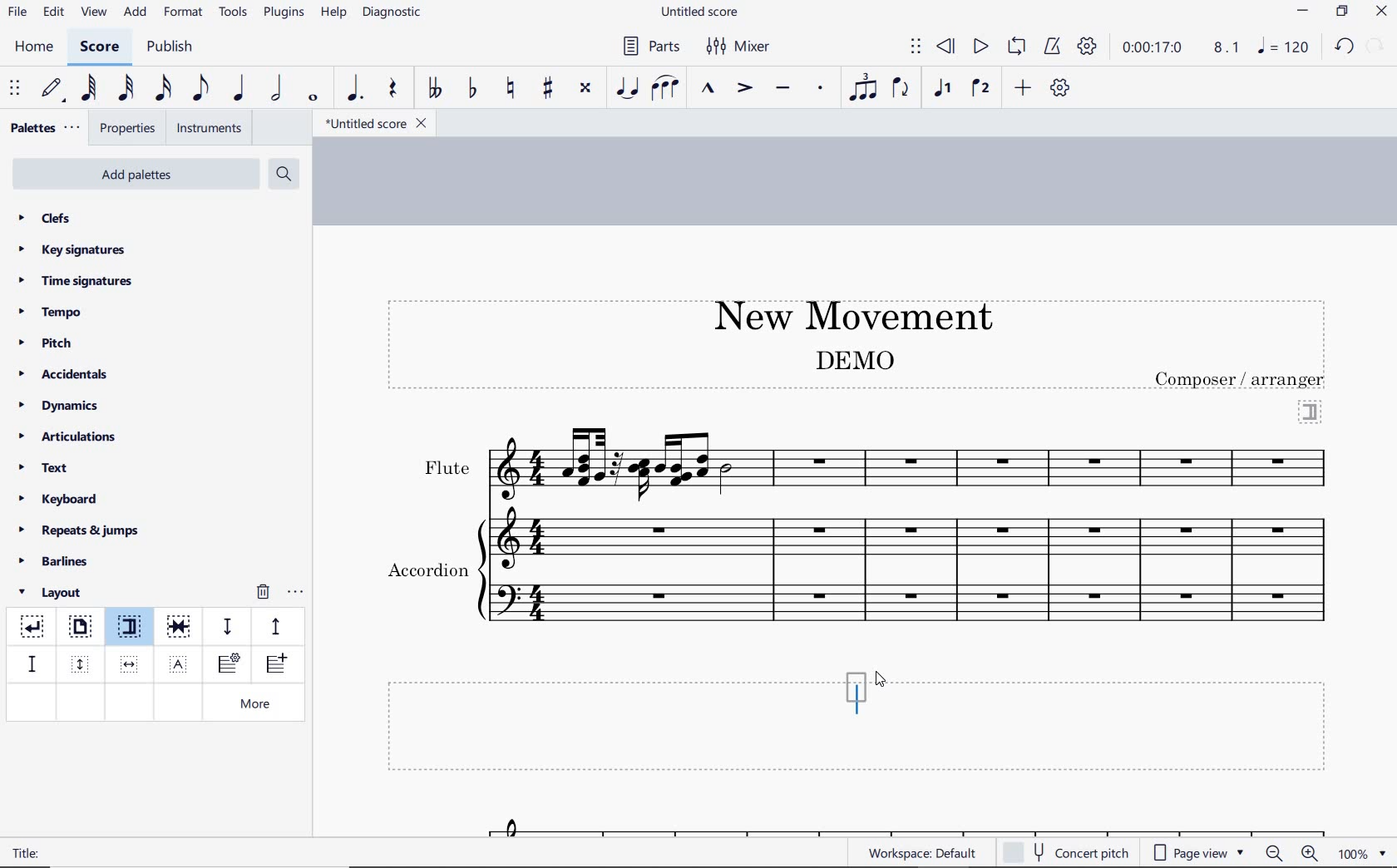 The width and height of the screenshot is (1397, 868). Describe the element at coordinates (91, 13) in the screenshot. I see `view` at that location.